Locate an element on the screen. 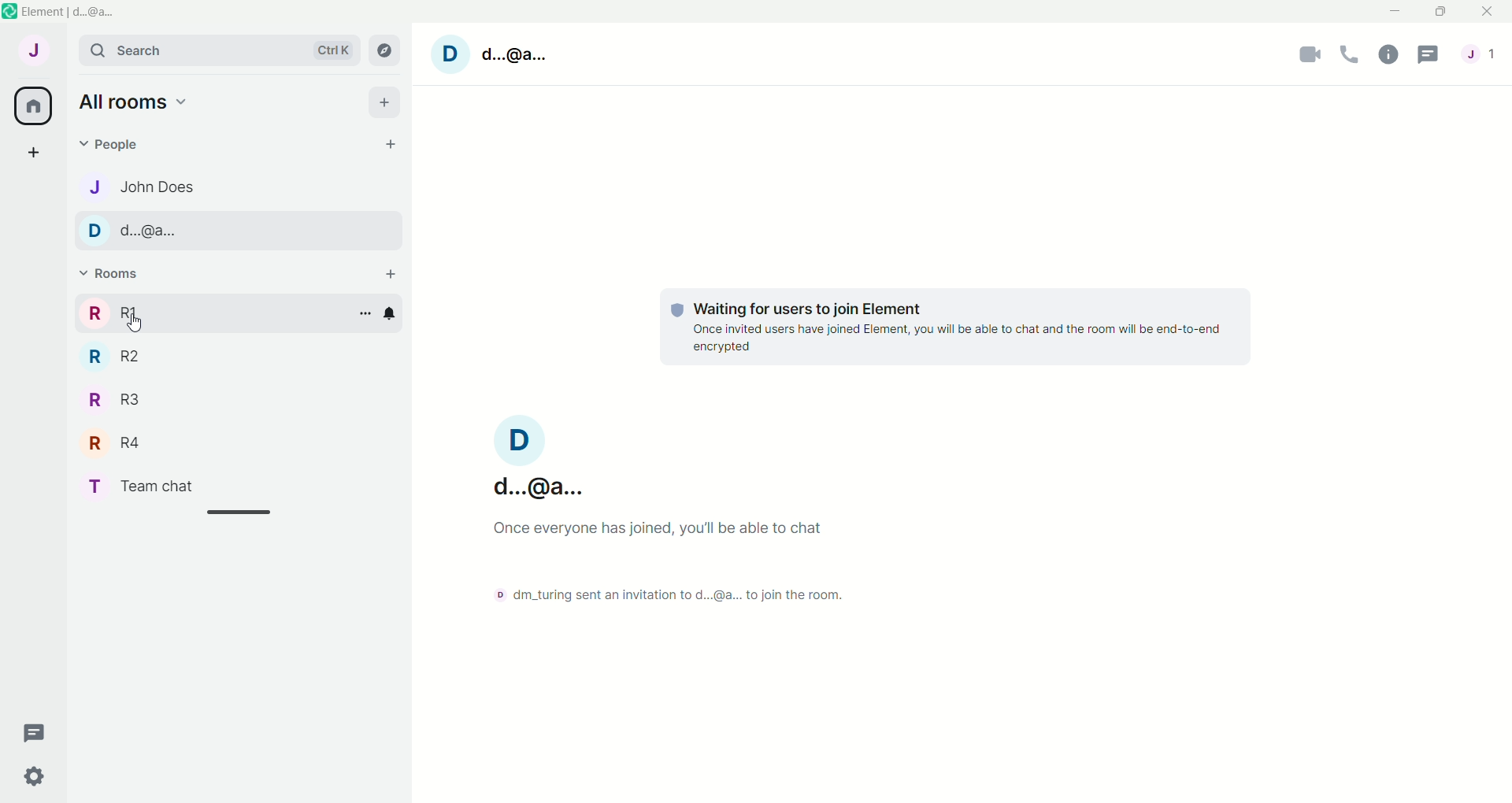  J John Does is located at coordinates (151, 187).